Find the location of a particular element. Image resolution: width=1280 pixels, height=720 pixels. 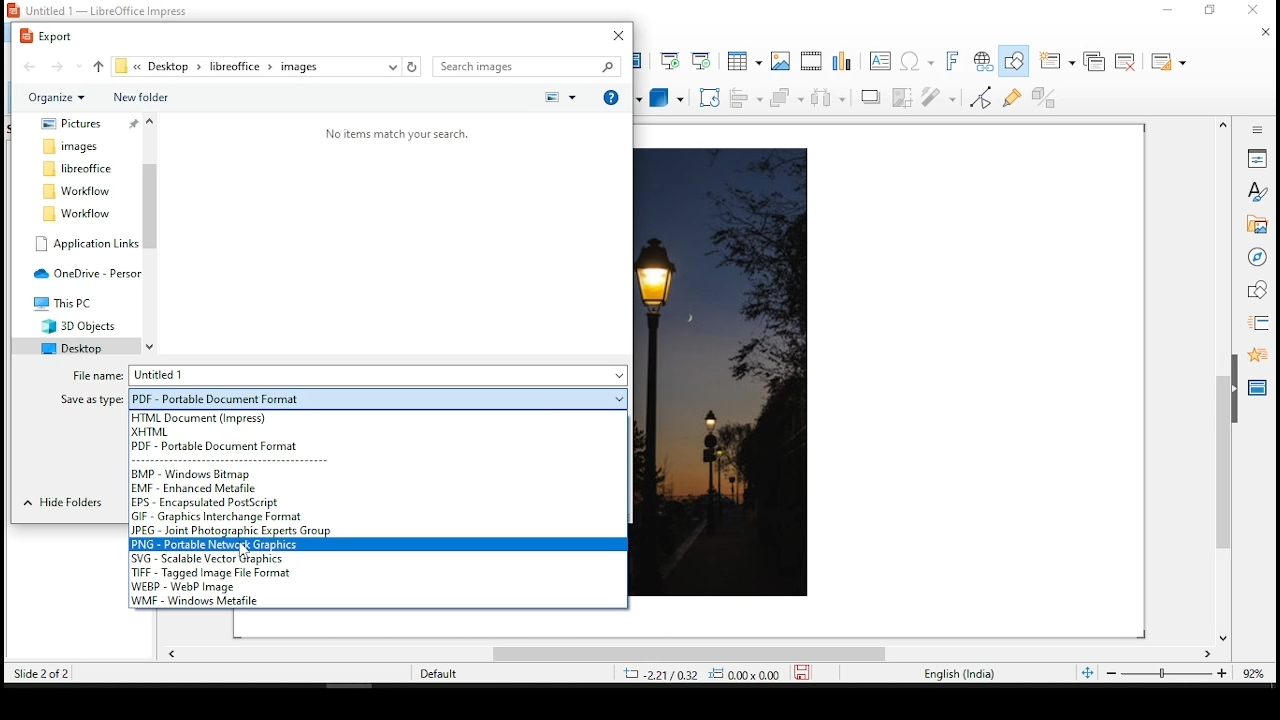

selection is located at coordinates (194, 460).